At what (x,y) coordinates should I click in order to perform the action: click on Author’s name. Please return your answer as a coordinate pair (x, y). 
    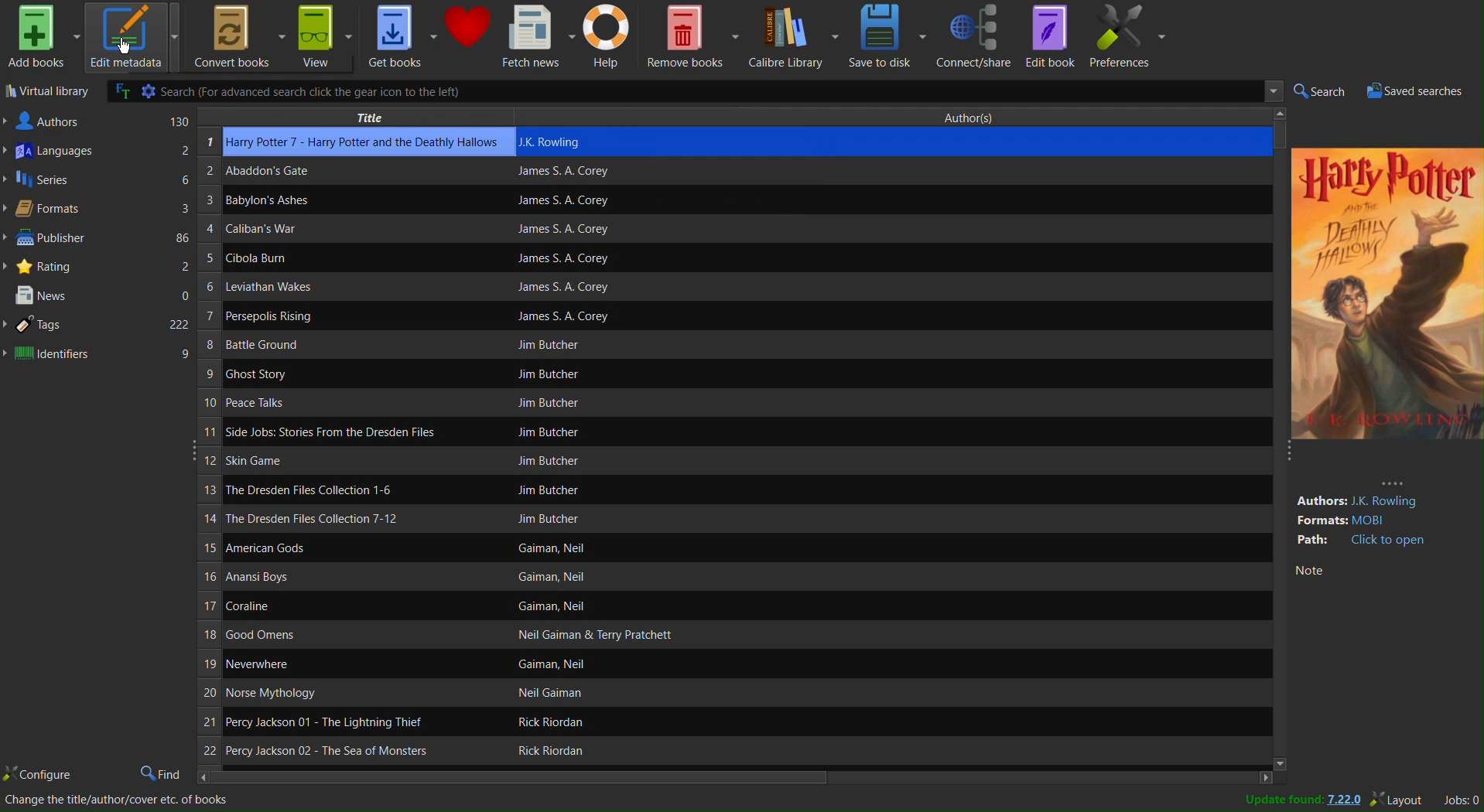
    Looking at the image, I should click on (625, 722).